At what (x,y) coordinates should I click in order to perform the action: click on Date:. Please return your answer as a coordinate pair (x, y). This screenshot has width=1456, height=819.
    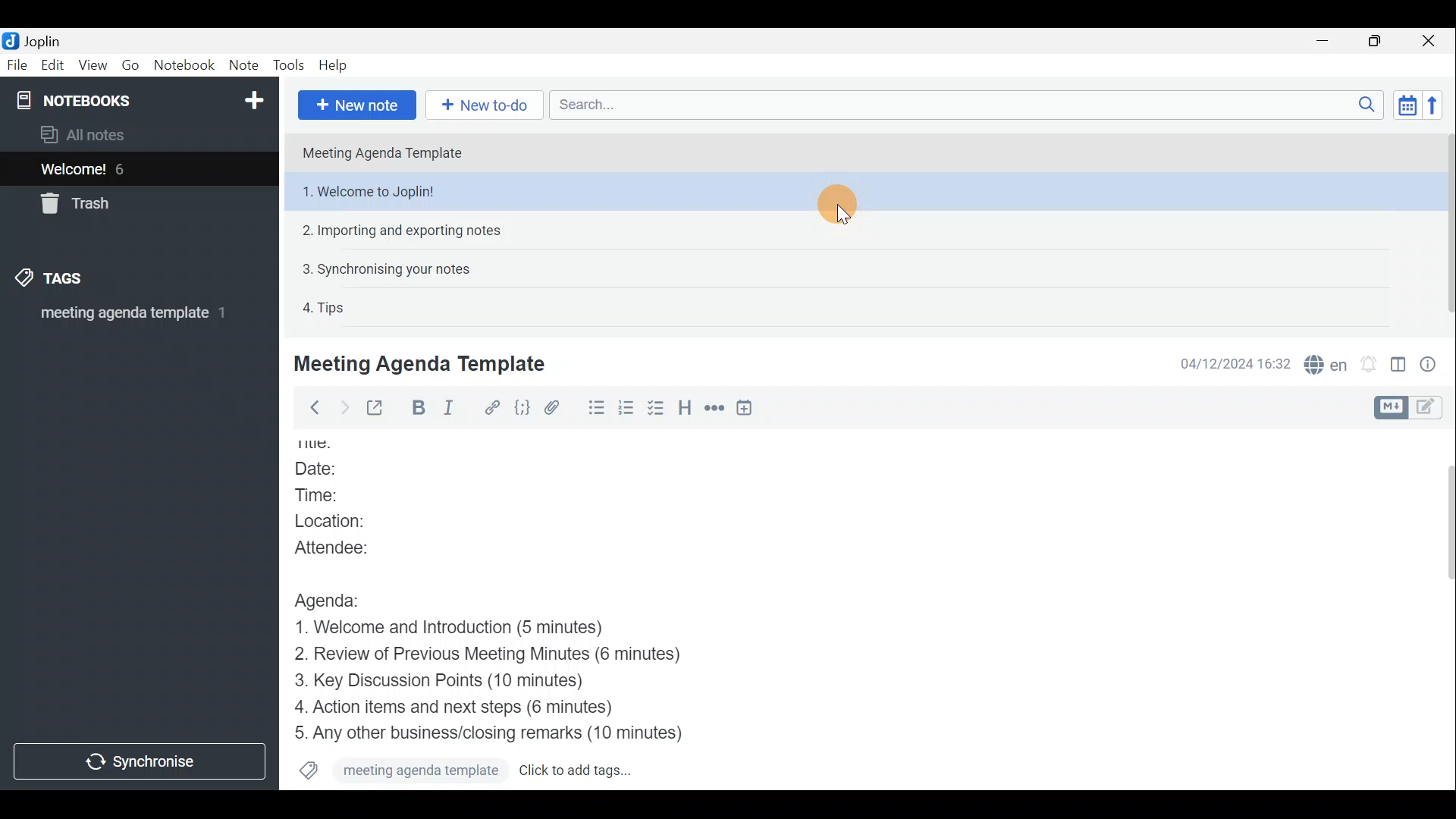
    Looking at the image, I should click on (334, 470).